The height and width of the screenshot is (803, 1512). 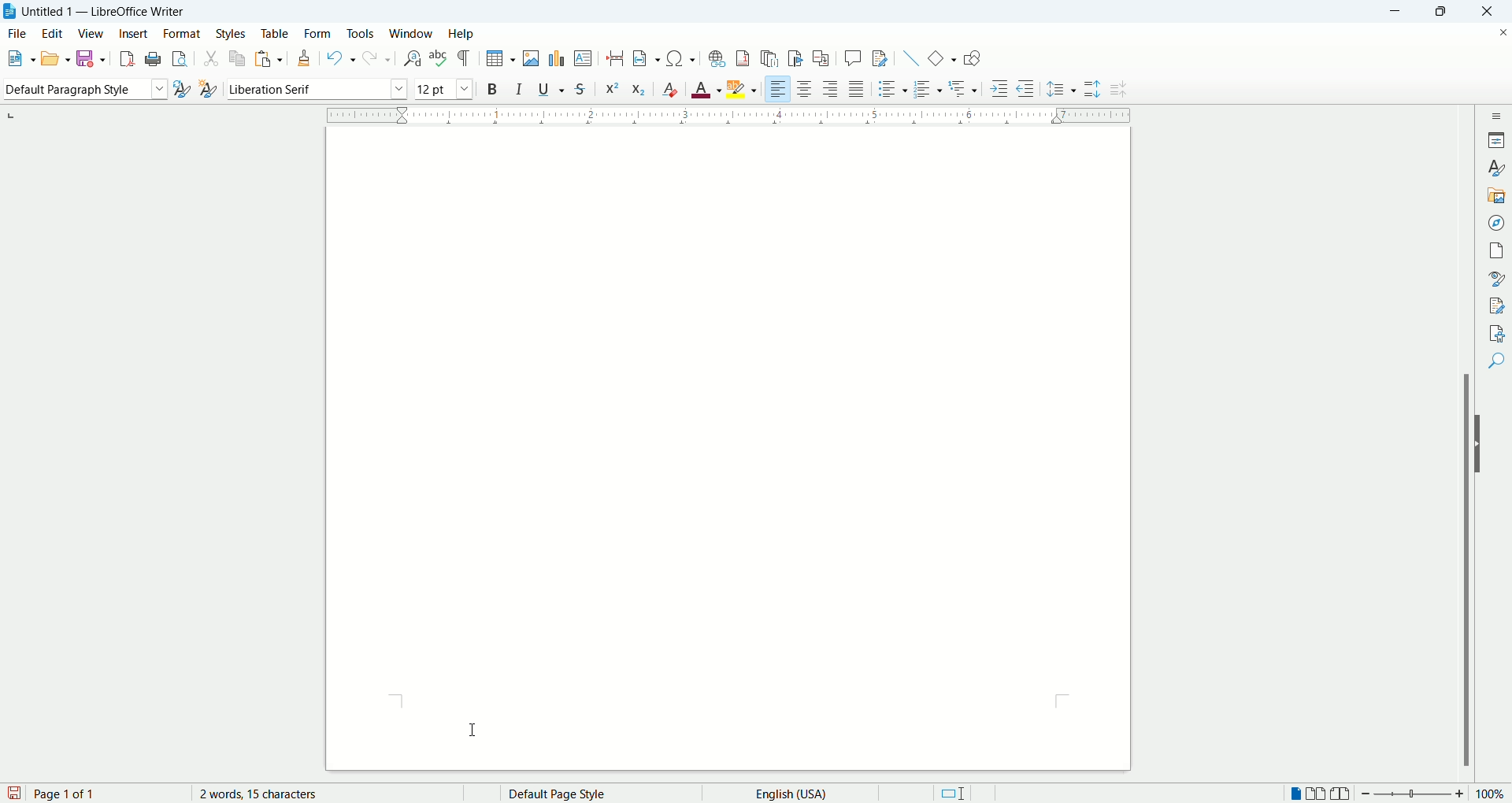 I want to click on minimize, so click(x=1400, y=10).